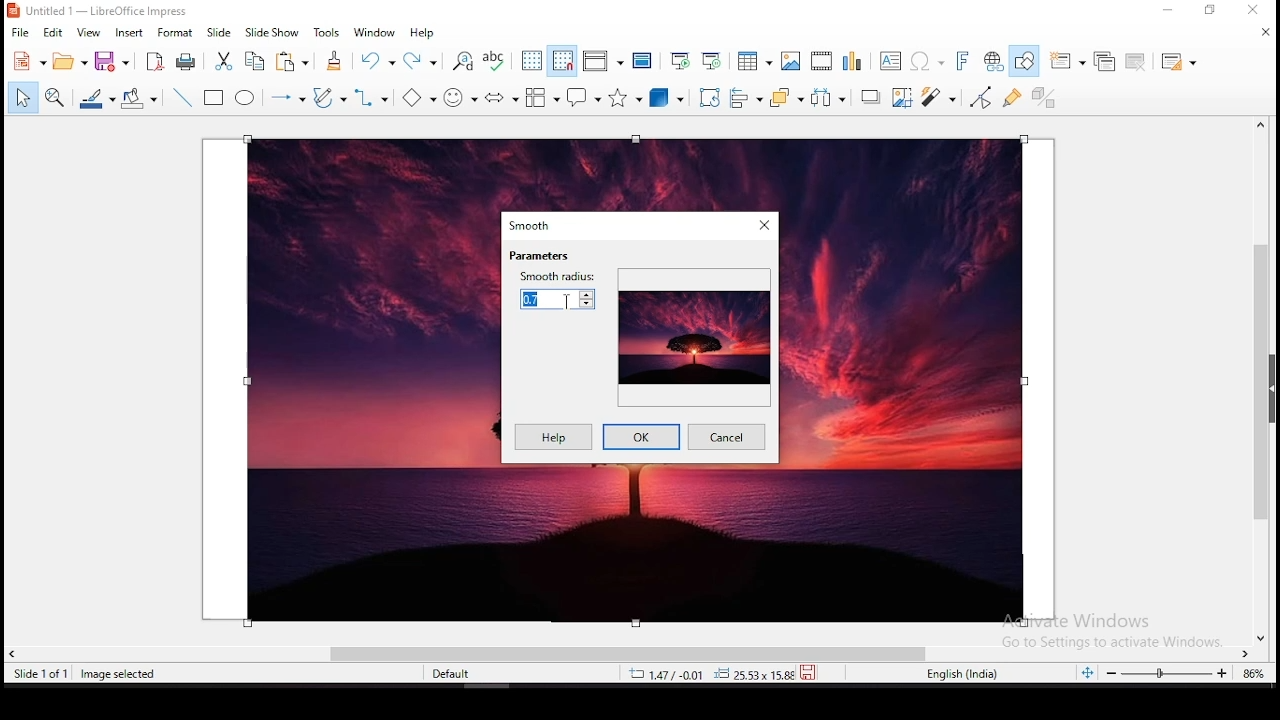  Describe the element at coordinates (532, 225) in the screenshot. I see `dmooth` at that location.